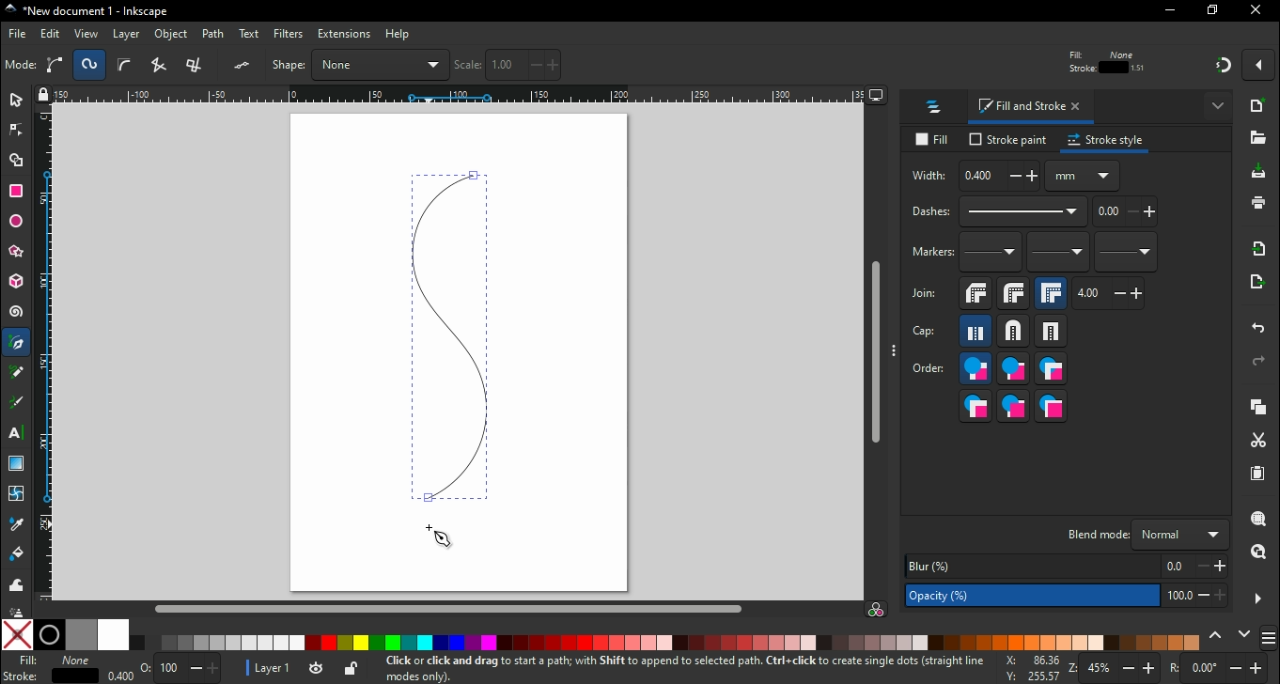 Image resolution: width=1280 pixels, height=684 pixels. Describe the element at coordinates (1110, 297) in the screenshot. I see `max length of miter` at that location.